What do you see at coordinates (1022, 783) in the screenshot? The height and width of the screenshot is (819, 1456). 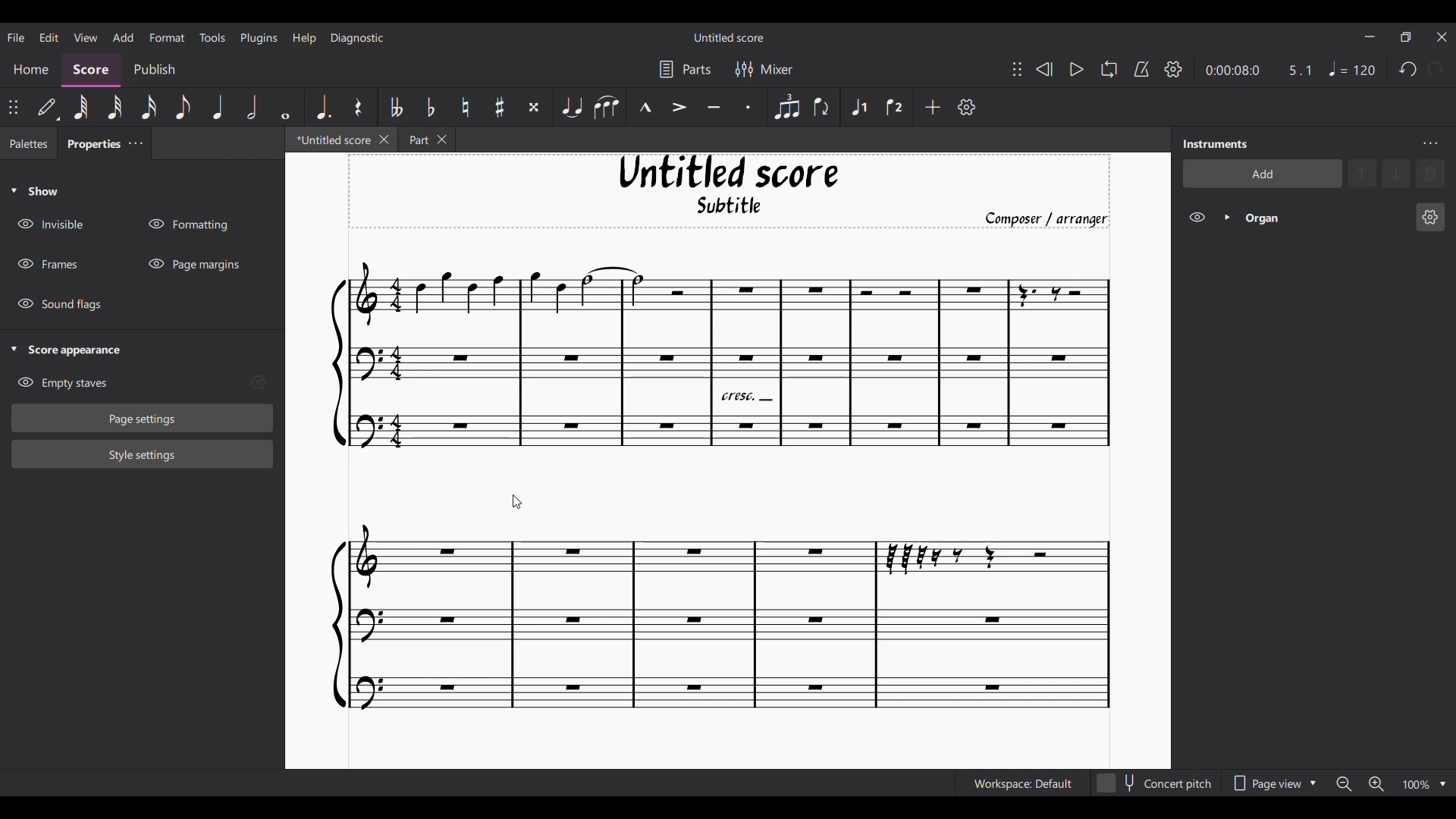 I see `Current workspace setting` at bounding box center [1022, 783].